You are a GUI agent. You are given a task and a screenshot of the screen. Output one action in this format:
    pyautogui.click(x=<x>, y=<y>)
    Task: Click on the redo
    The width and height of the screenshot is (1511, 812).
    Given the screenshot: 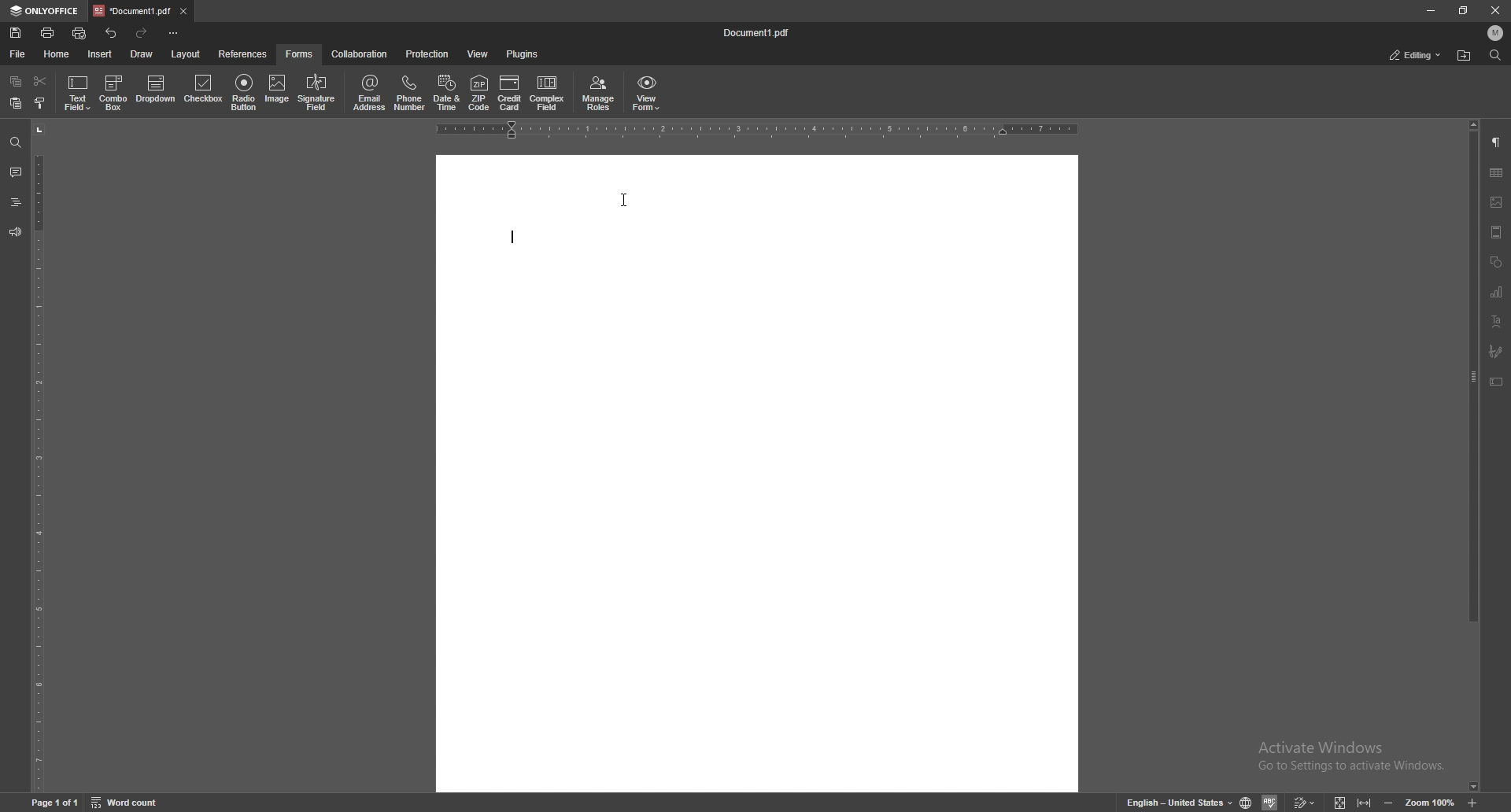 What is the action you would take?
    pyautogui.click(x=141, y=34)
    